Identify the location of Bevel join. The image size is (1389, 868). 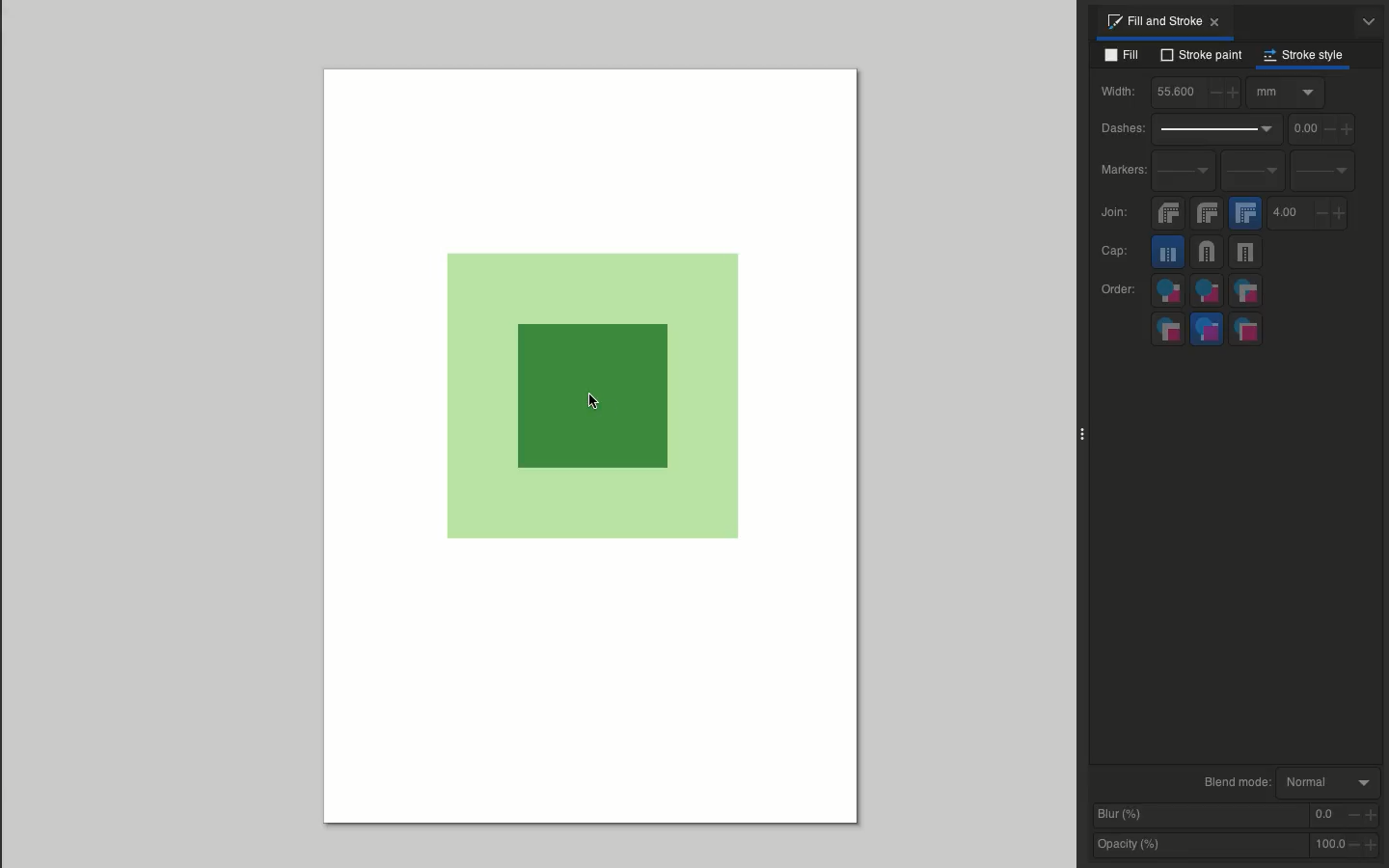
(1170, 213).